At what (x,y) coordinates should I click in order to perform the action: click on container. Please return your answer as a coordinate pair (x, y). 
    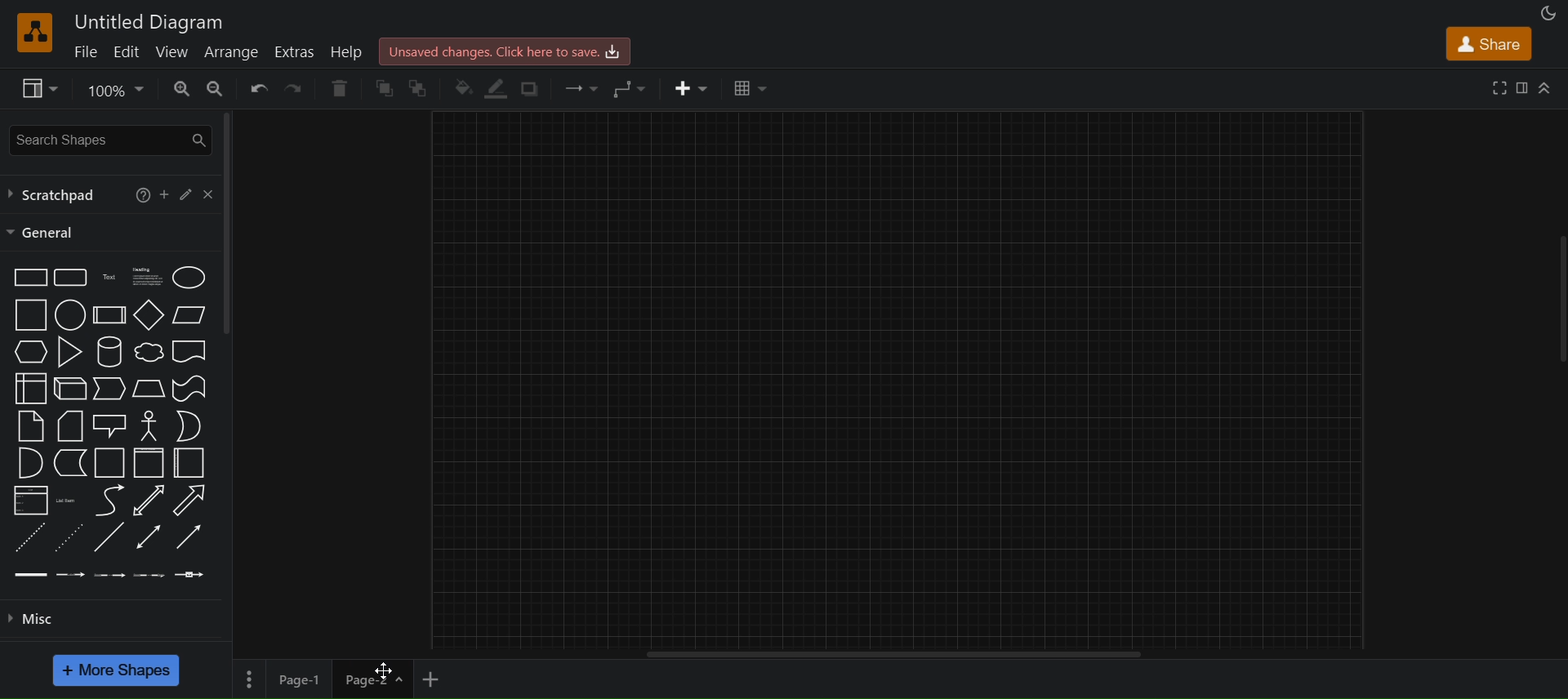
    Looking at the image, I should click on (109, 463).